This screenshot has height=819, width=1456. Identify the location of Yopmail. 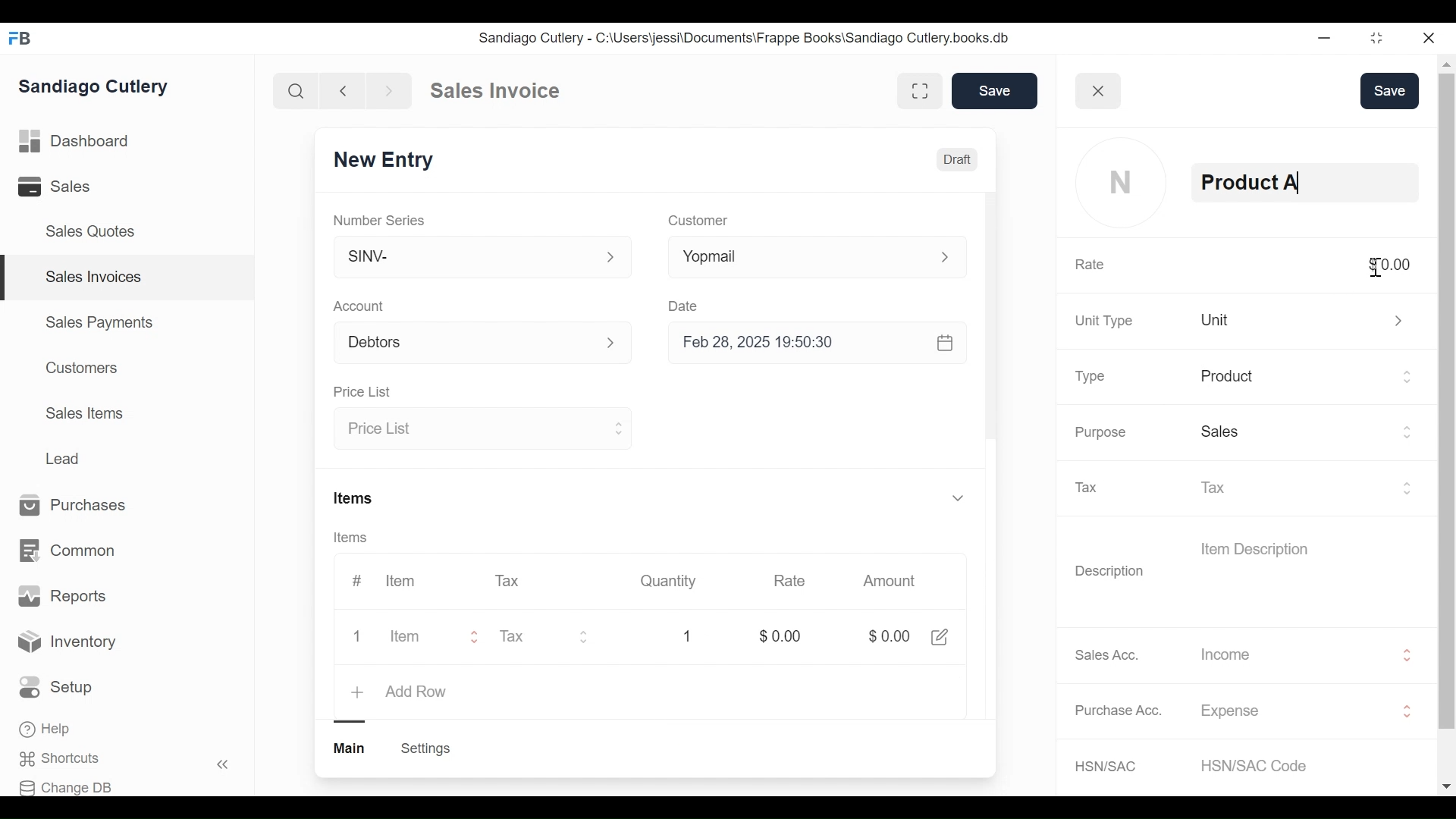
(821, 257).